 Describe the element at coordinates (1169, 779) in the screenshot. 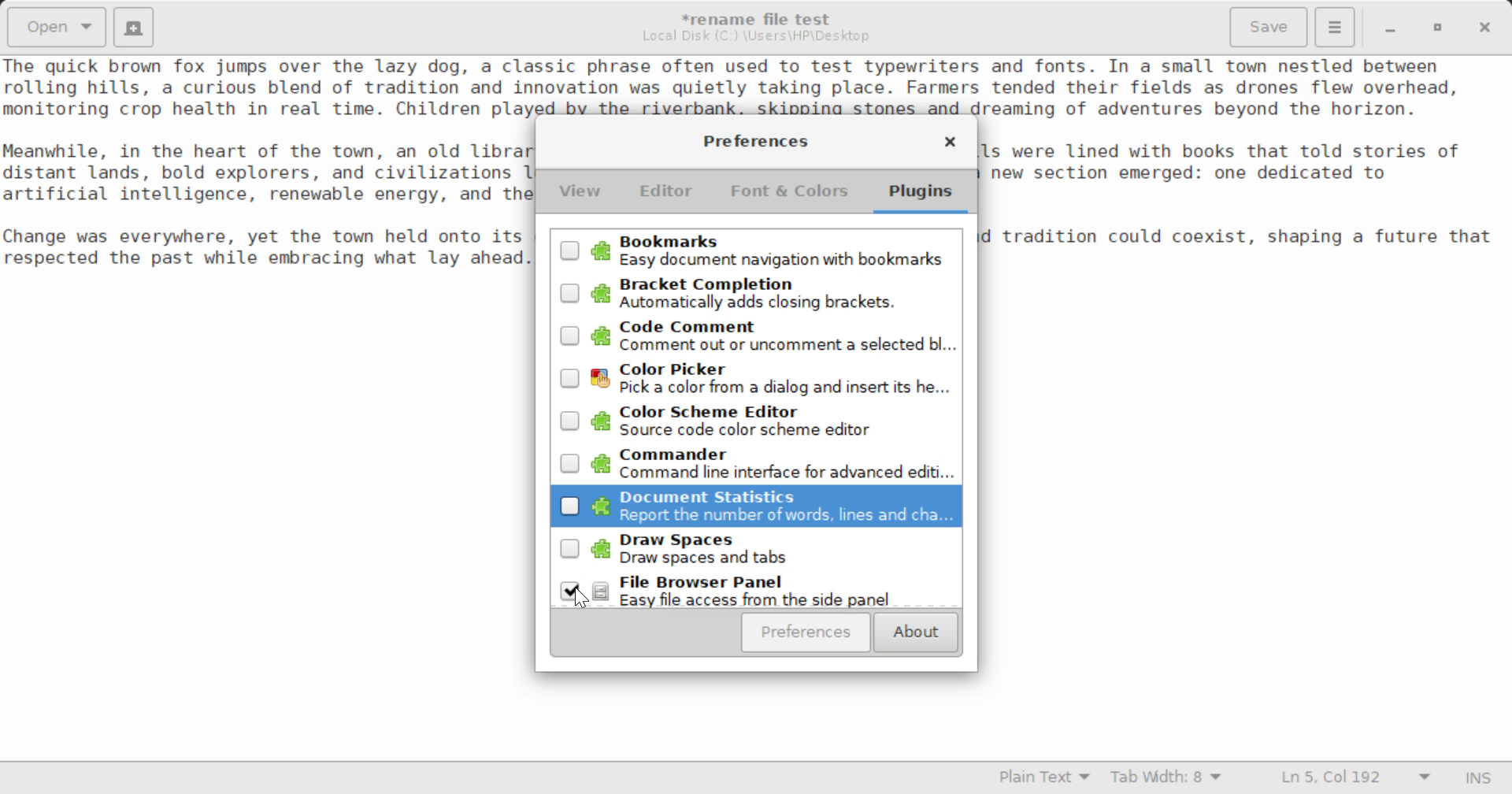

I see `Tab Width ` at that location.